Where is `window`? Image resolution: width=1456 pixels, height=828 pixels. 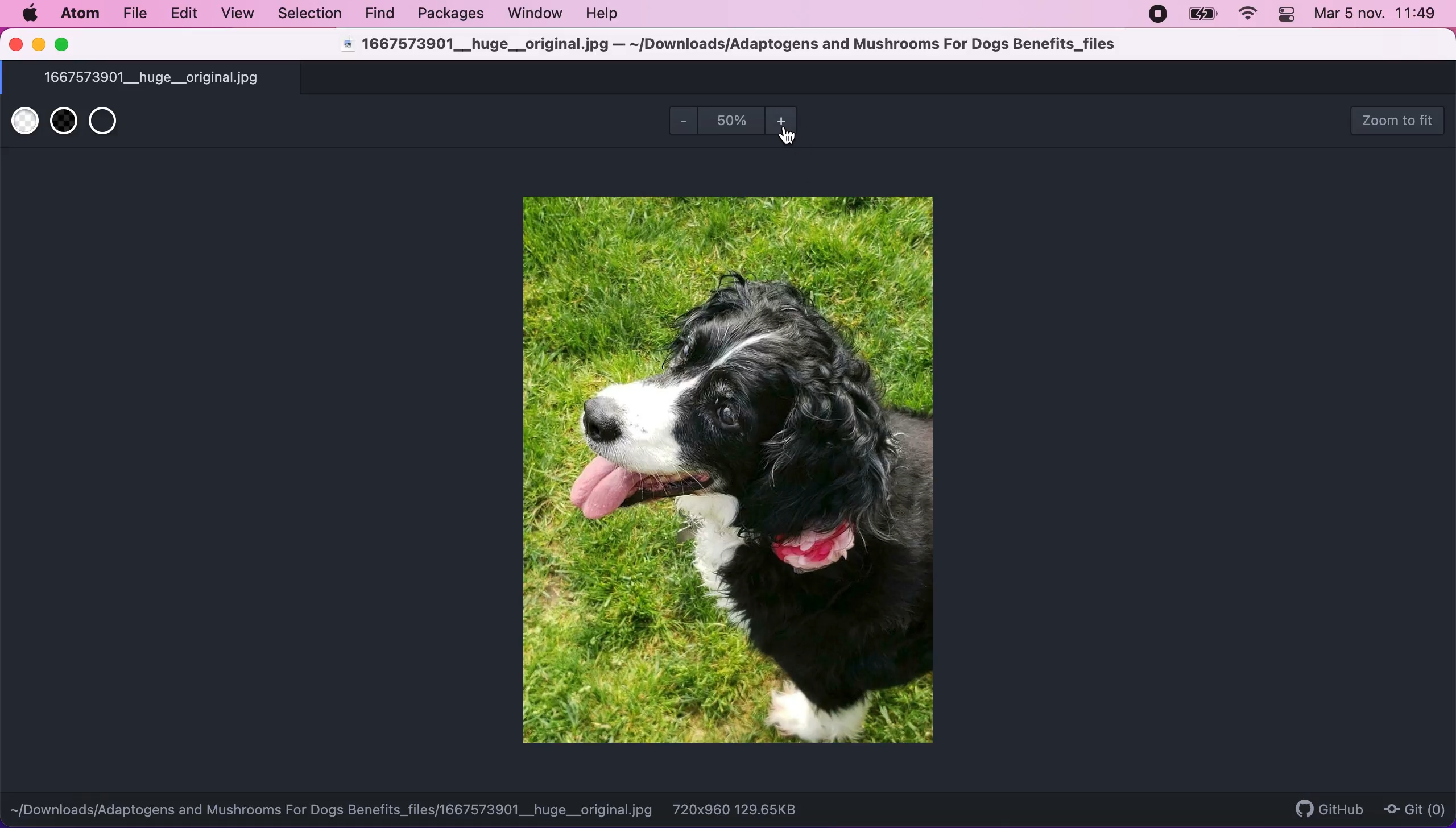 window is located at coordinates (537, 14).